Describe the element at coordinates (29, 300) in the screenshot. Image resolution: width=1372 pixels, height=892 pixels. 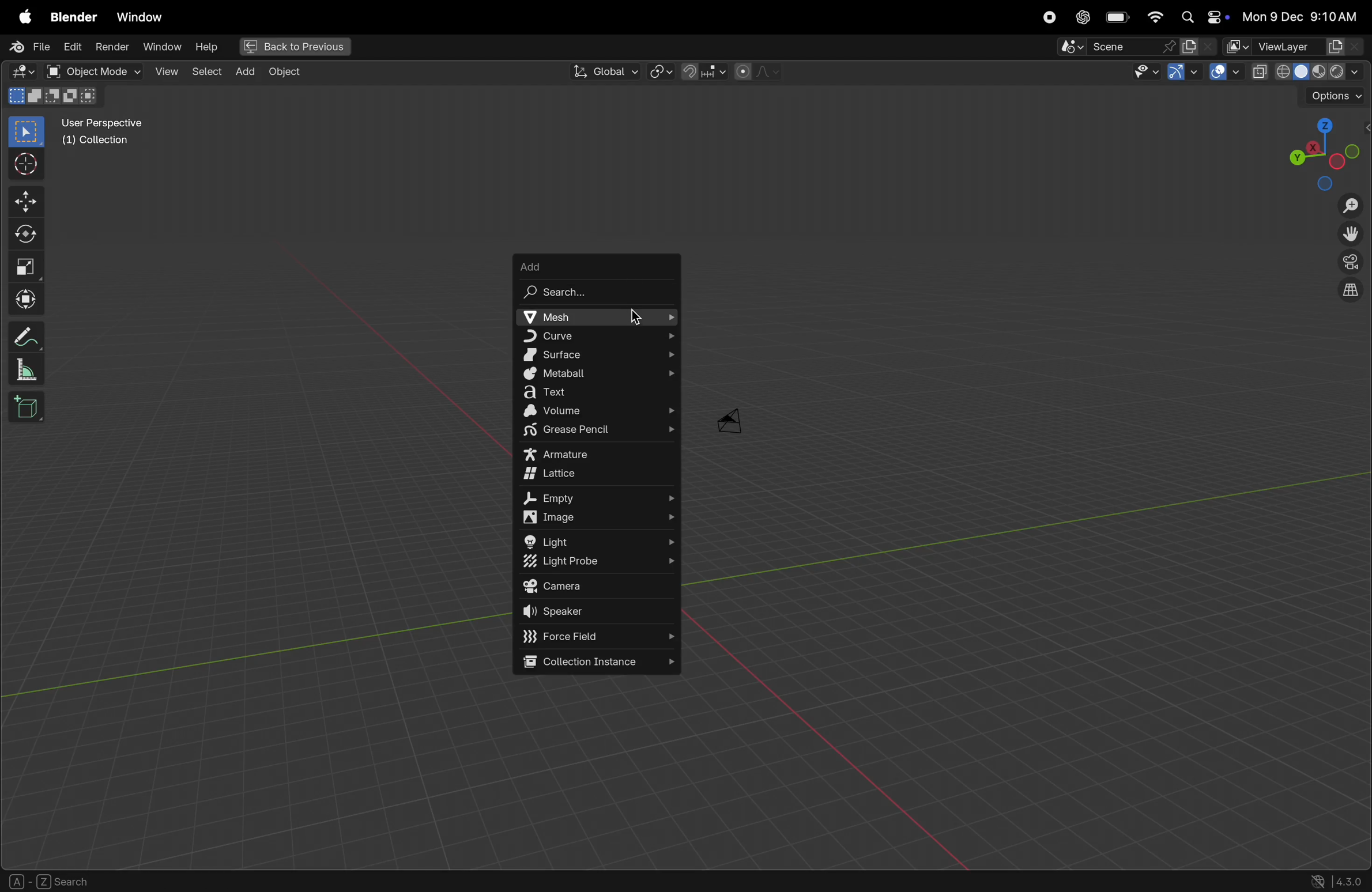
I see `transform` at that location.